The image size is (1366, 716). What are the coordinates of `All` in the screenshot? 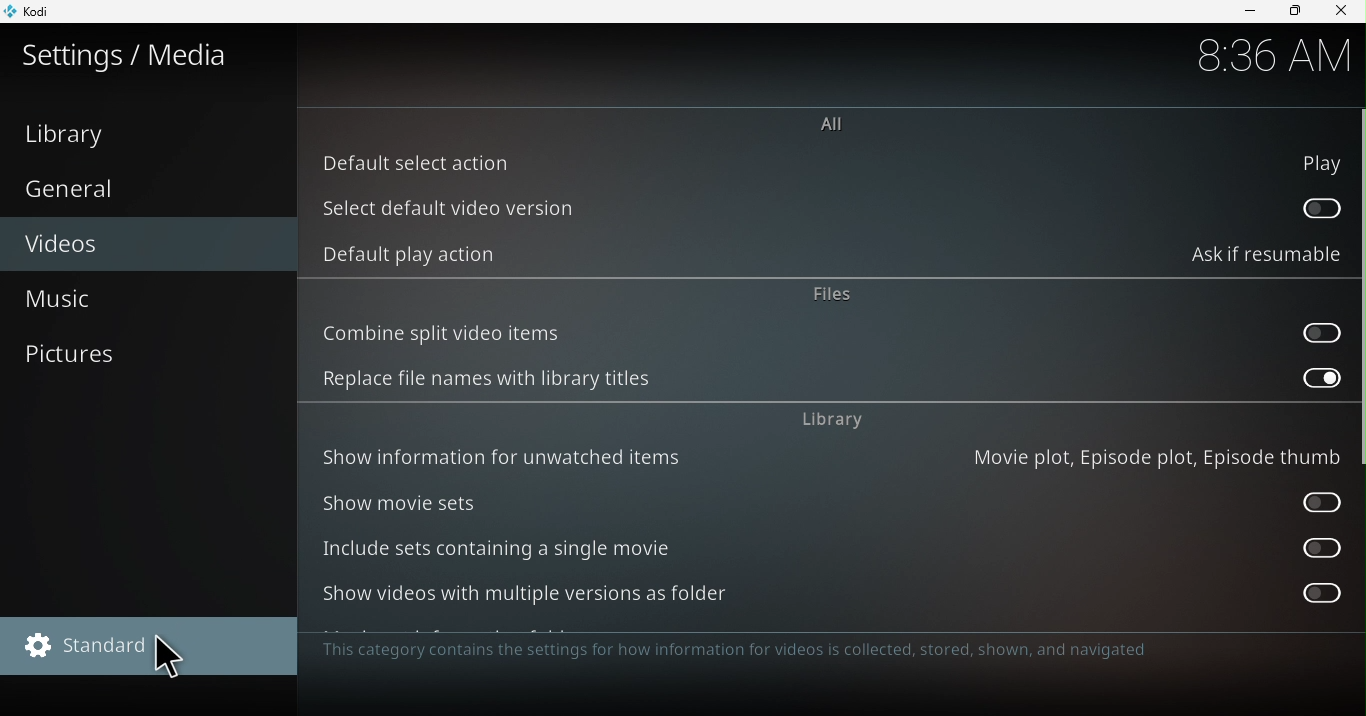 It's located at (828, 119).